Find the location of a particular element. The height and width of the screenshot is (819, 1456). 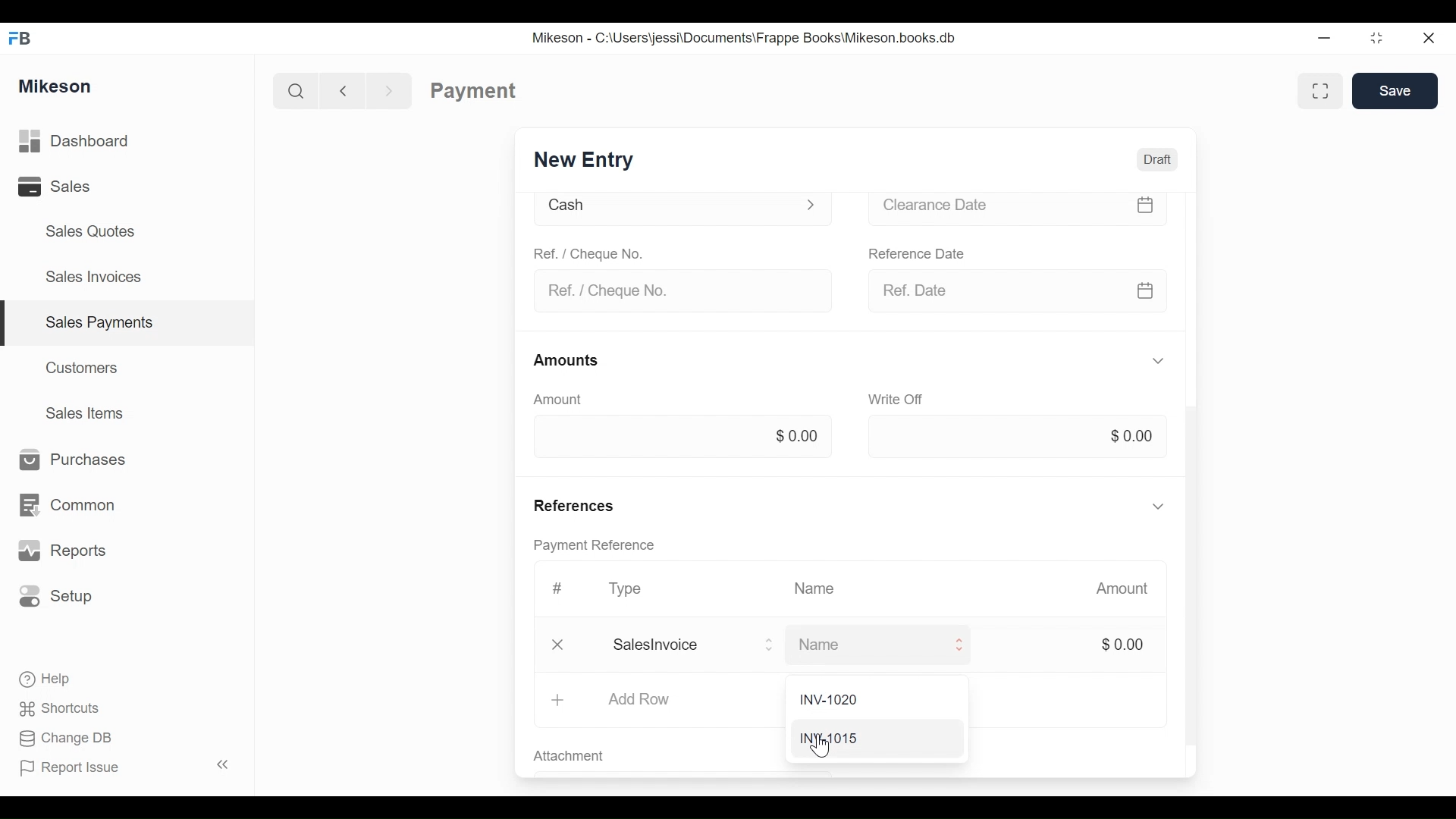

Shortcuts is located at coordinates (66, 704).